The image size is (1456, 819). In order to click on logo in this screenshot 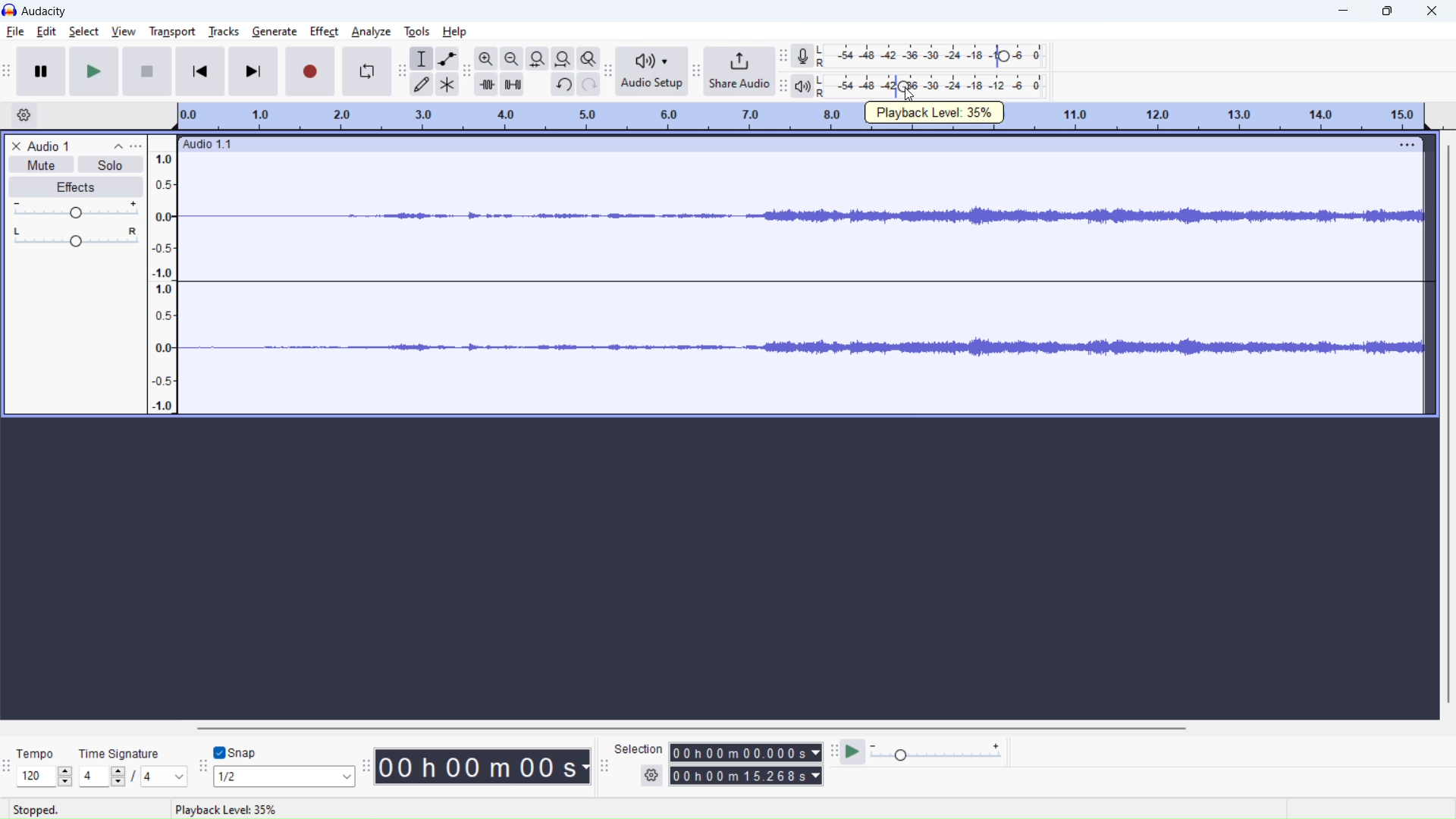, I will do `click(9, 10)`.